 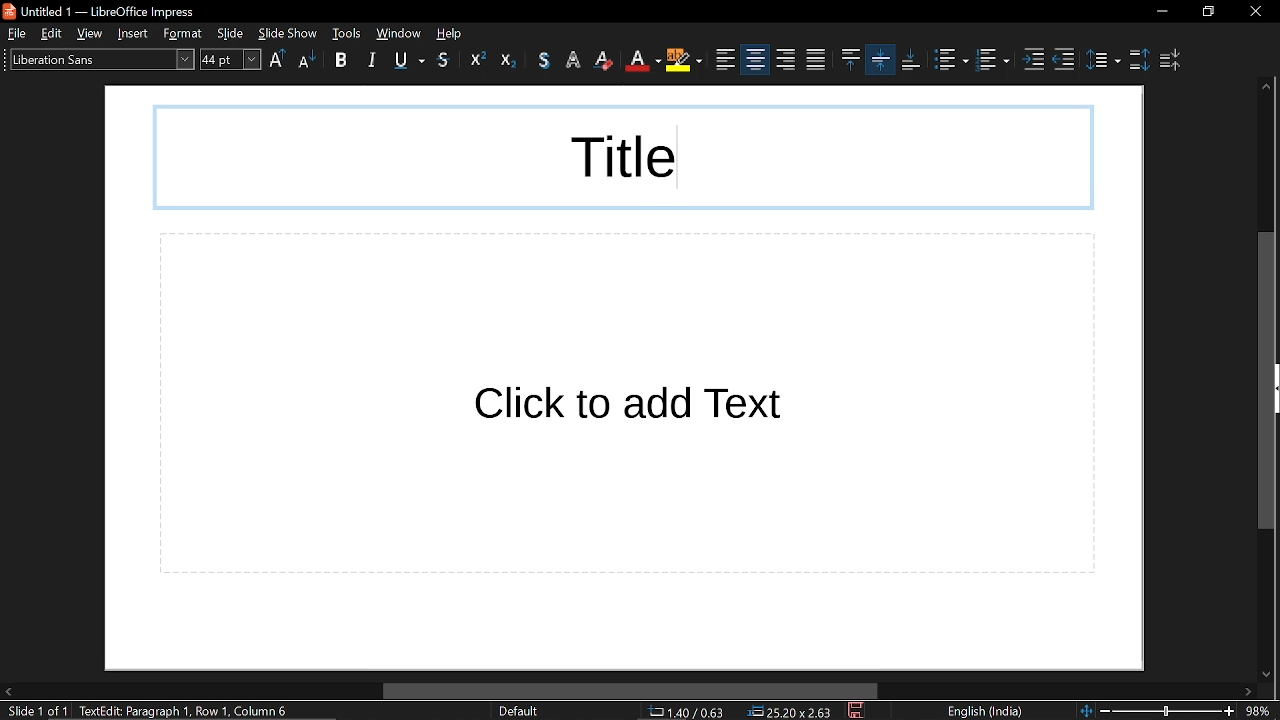 What do you see at coordinates (1209, 12) in the screenshot?
I see `restore down` at bounding box center [1209, 12].